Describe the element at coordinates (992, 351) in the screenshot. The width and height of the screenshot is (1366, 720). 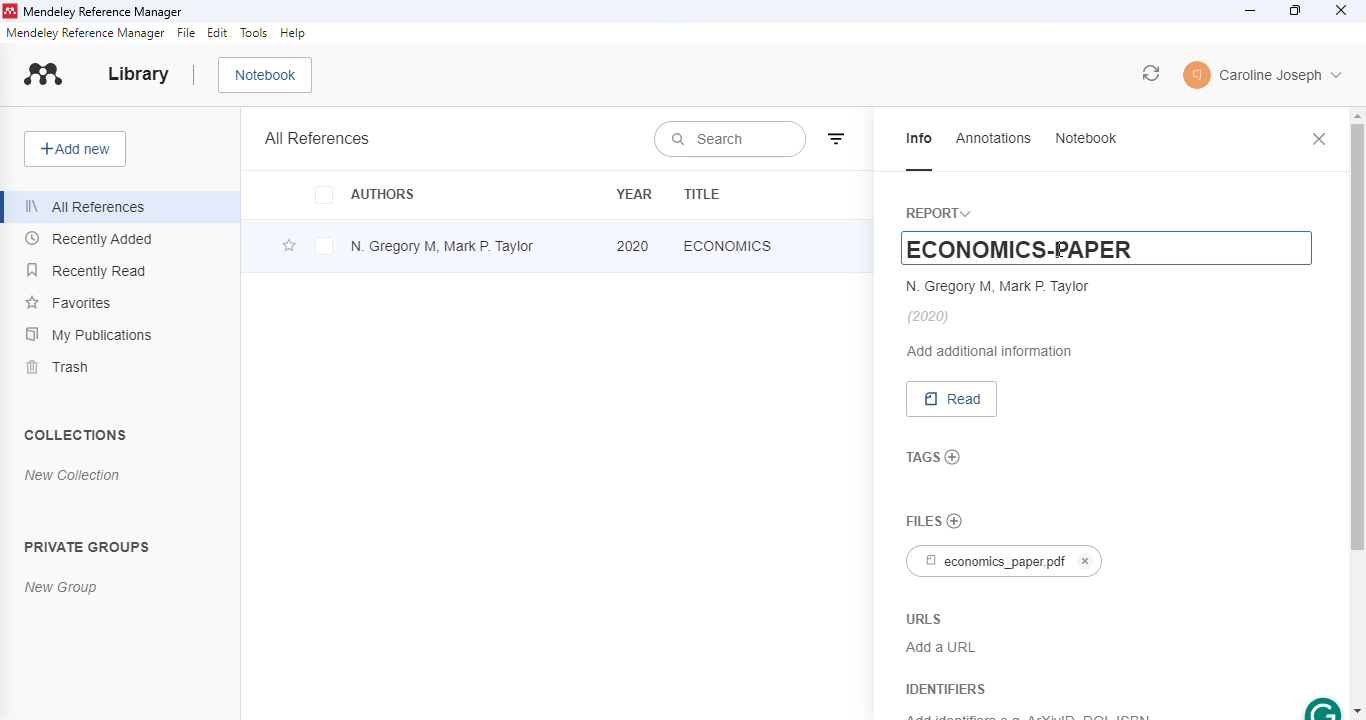
I see `add additional information` at that location.